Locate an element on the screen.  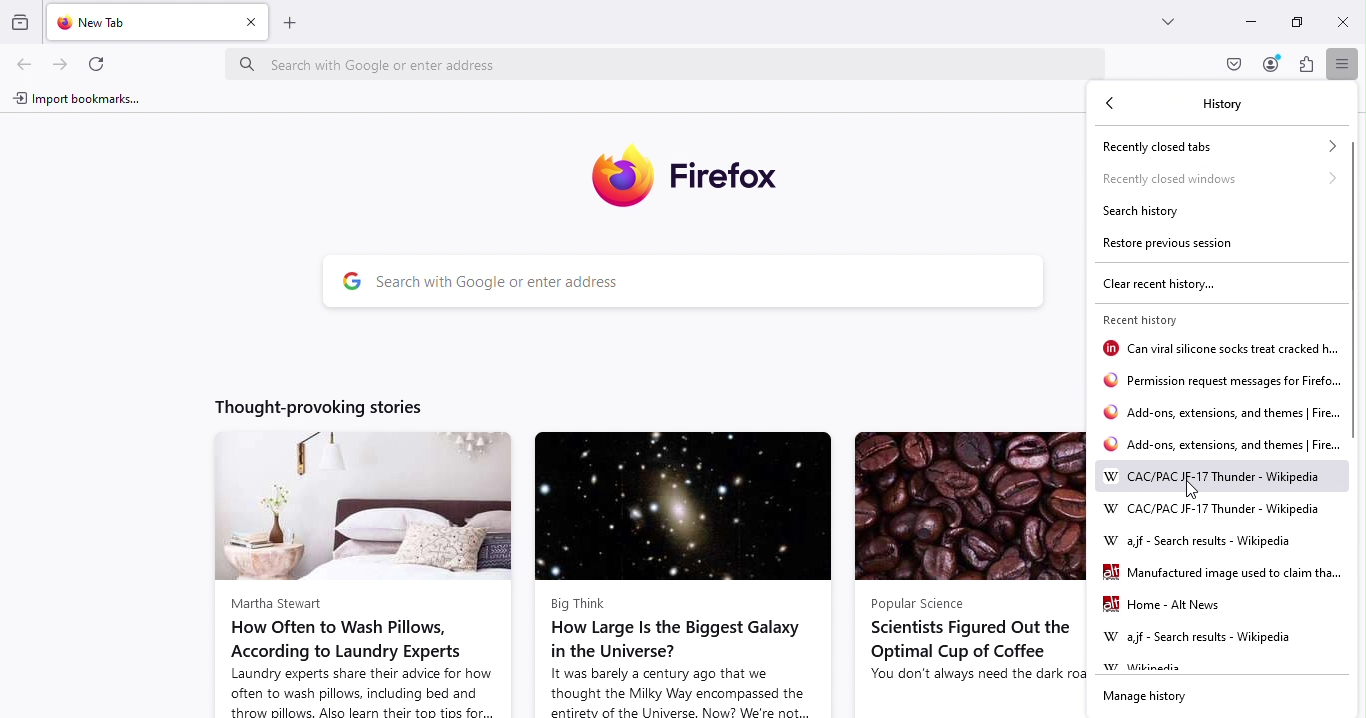
webpage link is located at coordinates (1211, 508).